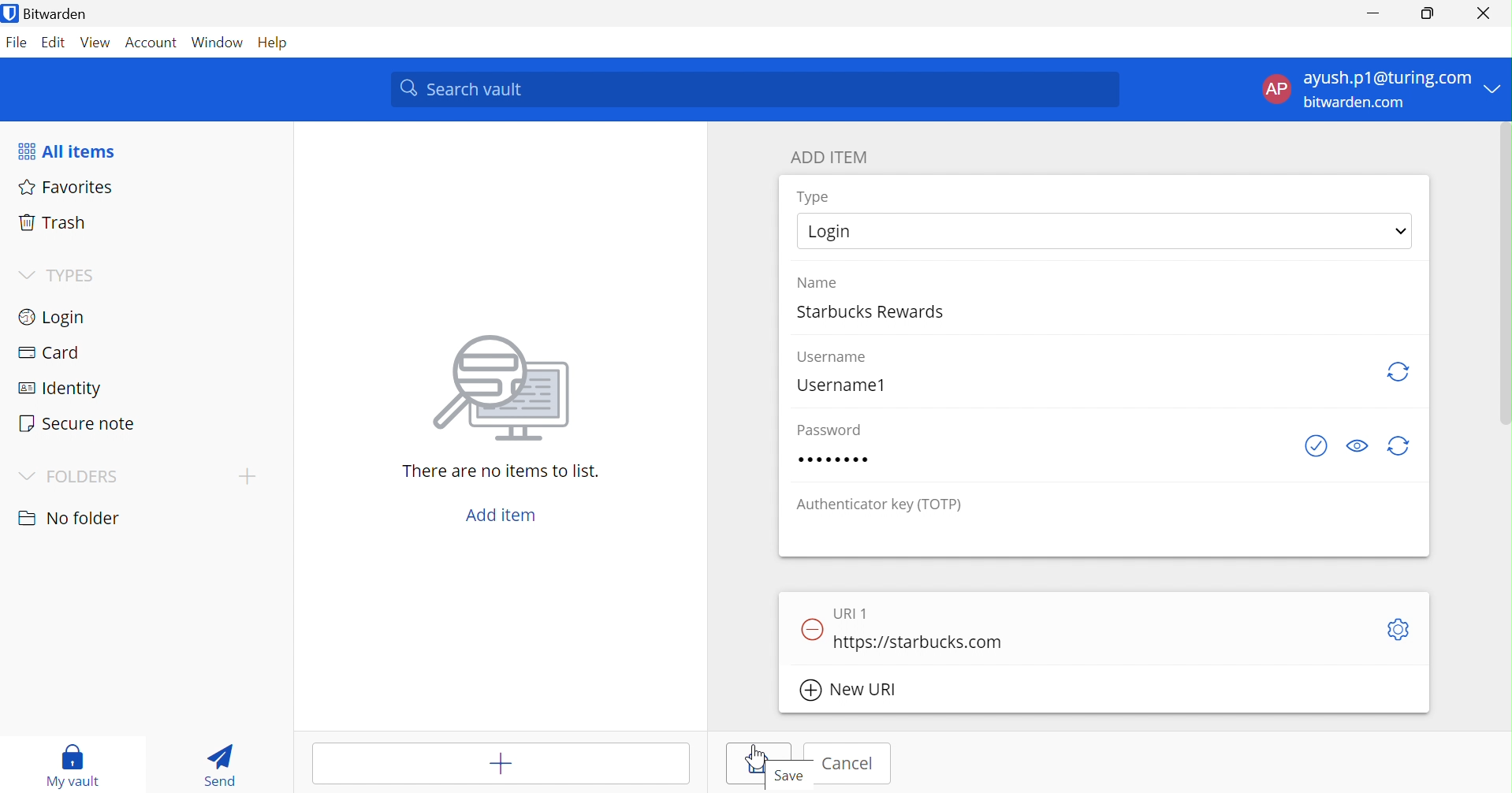 The image size is (1512, 793). I want to click on Drop Down, so click(1496, 87).